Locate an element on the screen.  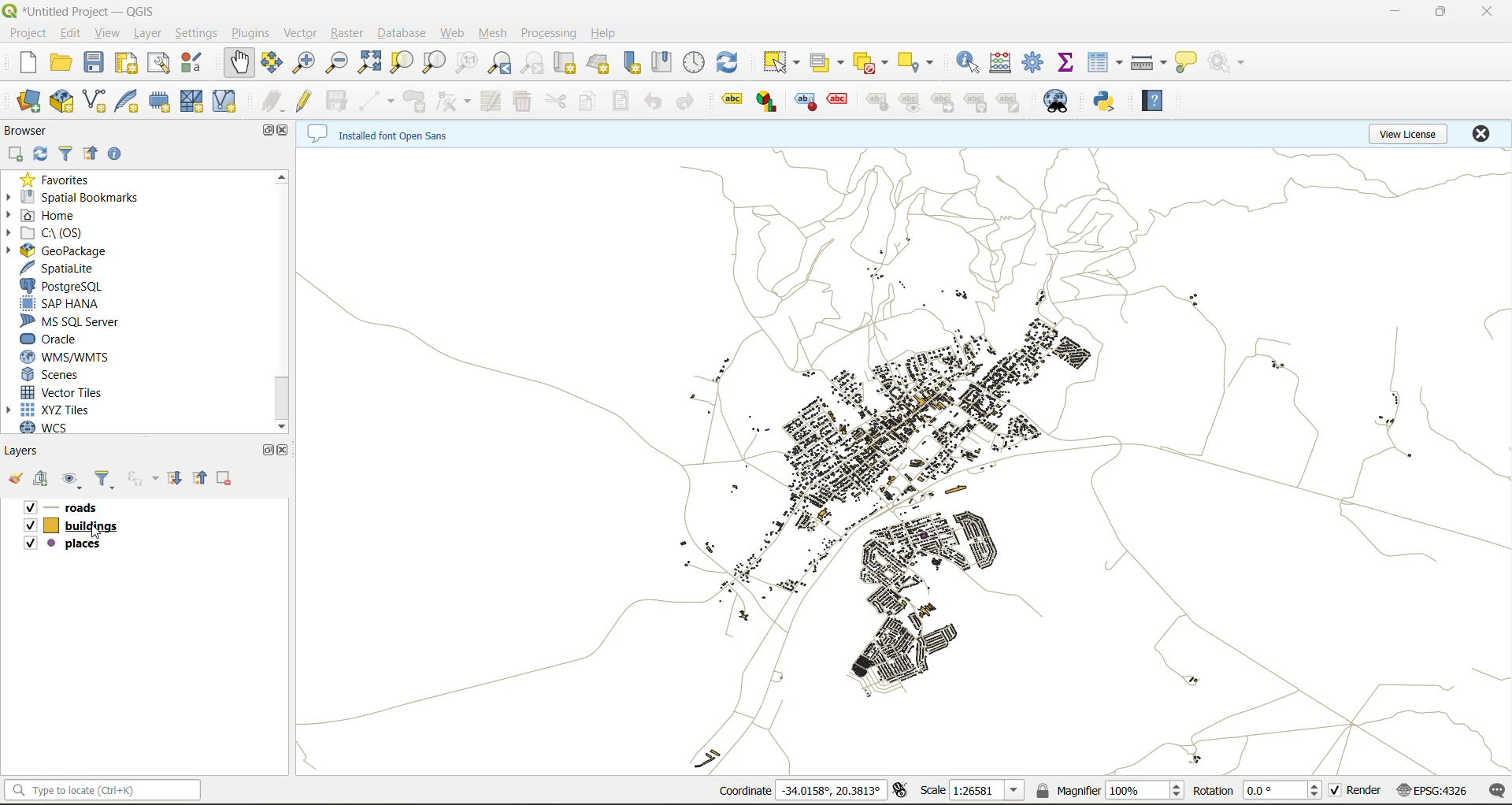
minimize is located at coordinates (1402, 13).